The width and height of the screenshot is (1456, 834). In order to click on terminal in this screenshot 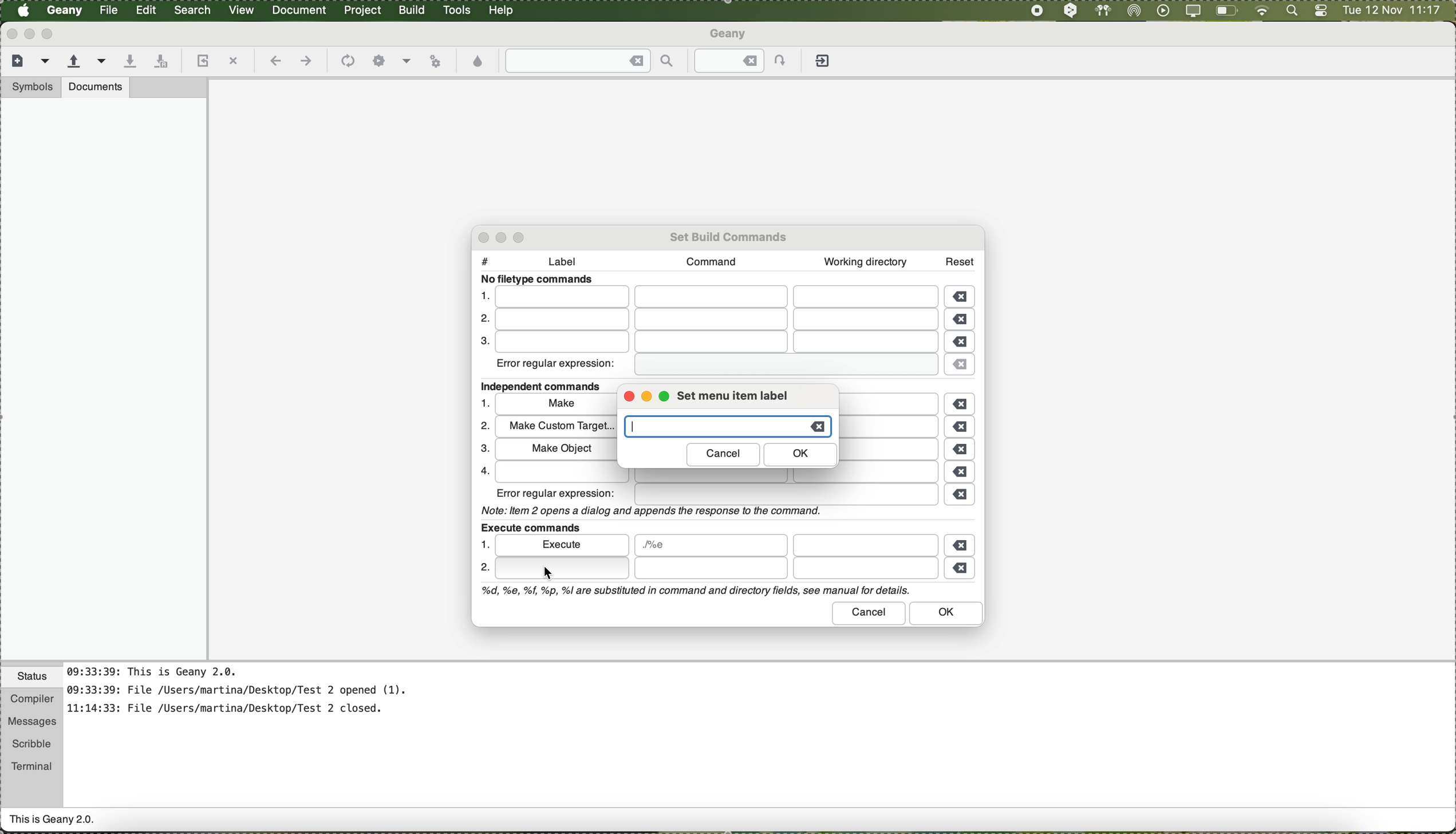, I will do `click(32, 764)`.